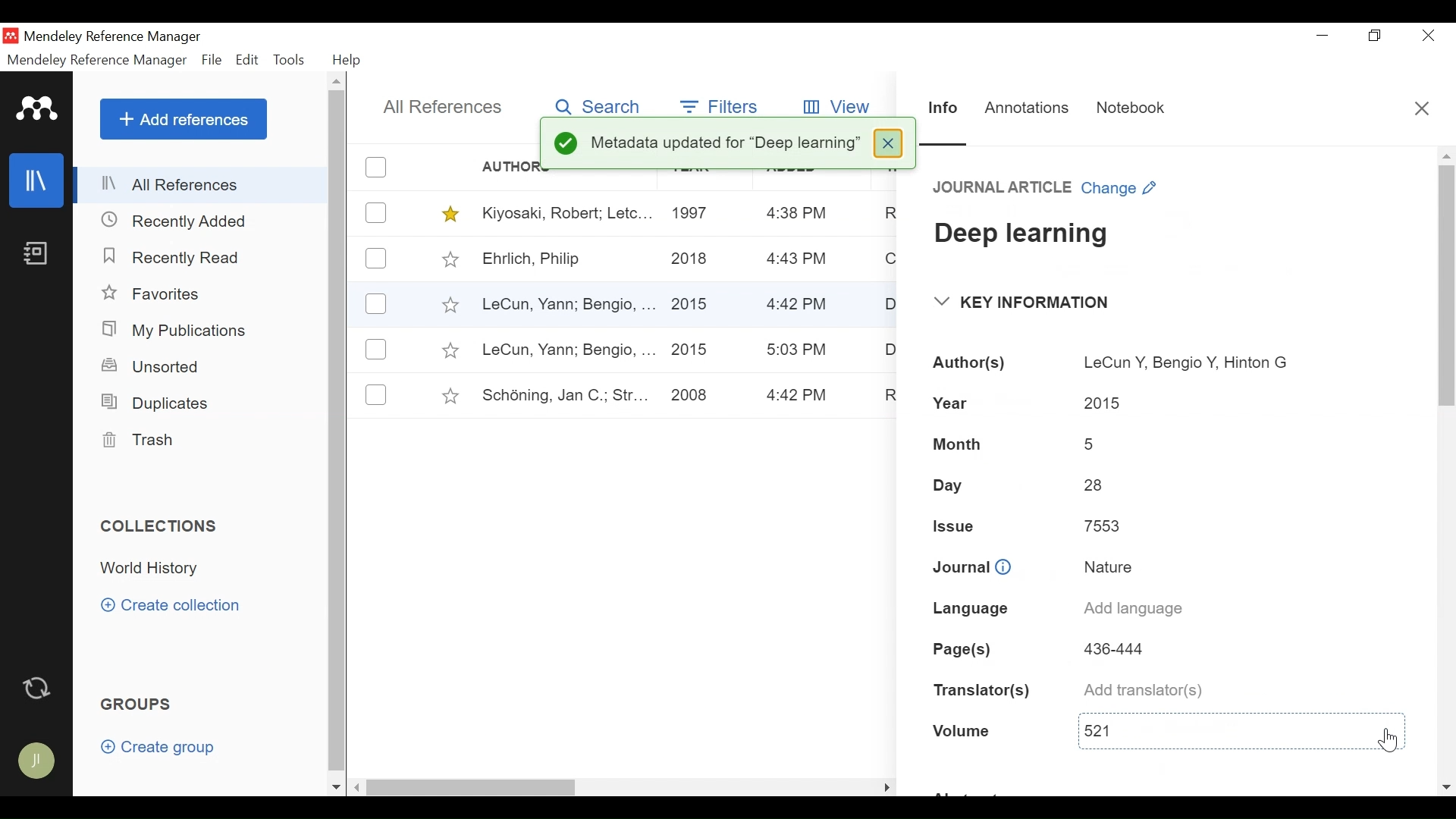  Describe the element at coordinates (375, 258) in the screenshot. I see `(un)select` at that location.